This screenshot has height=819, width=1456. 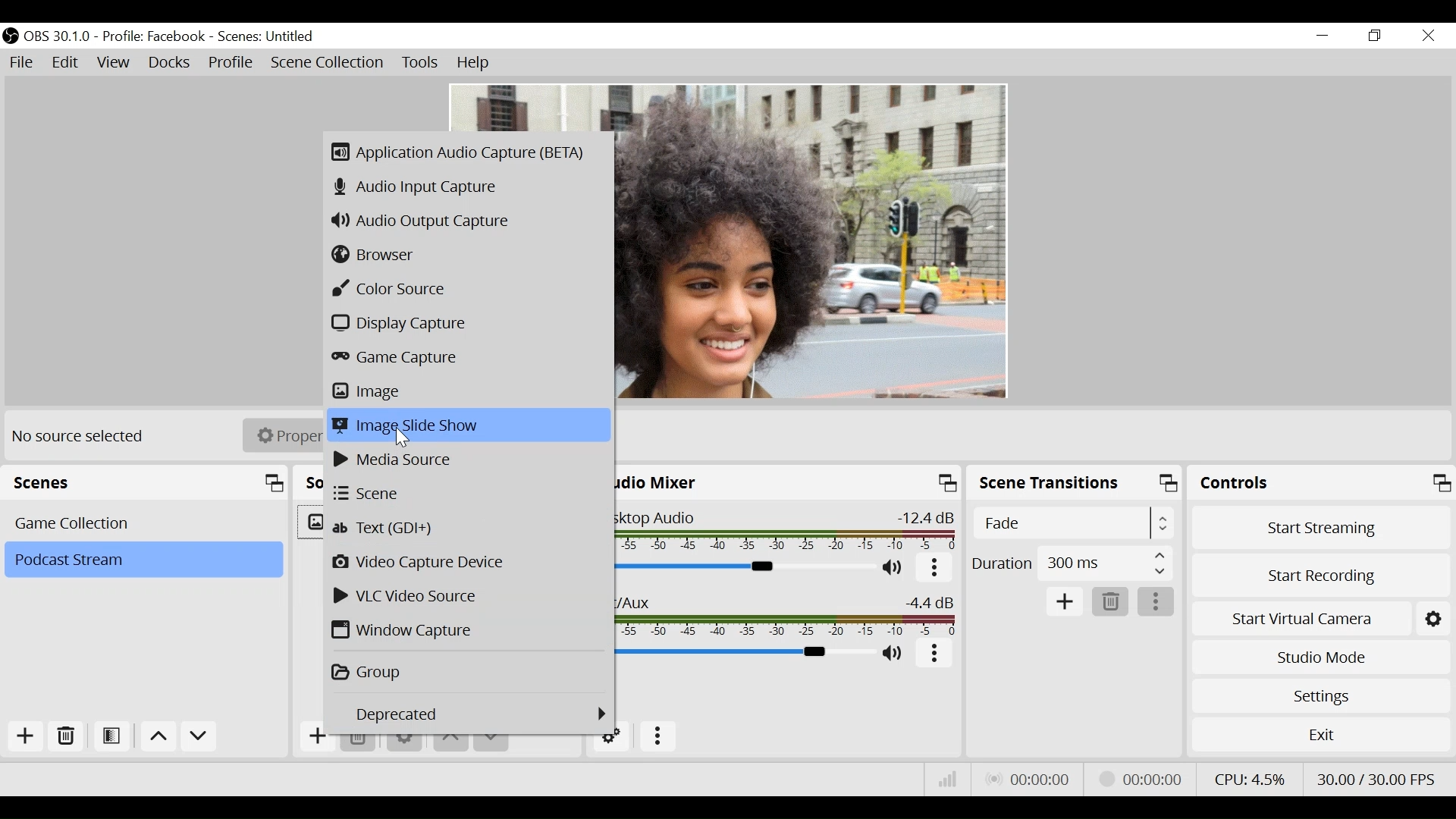 I want to click on Tools, so click(x=420, y=63).